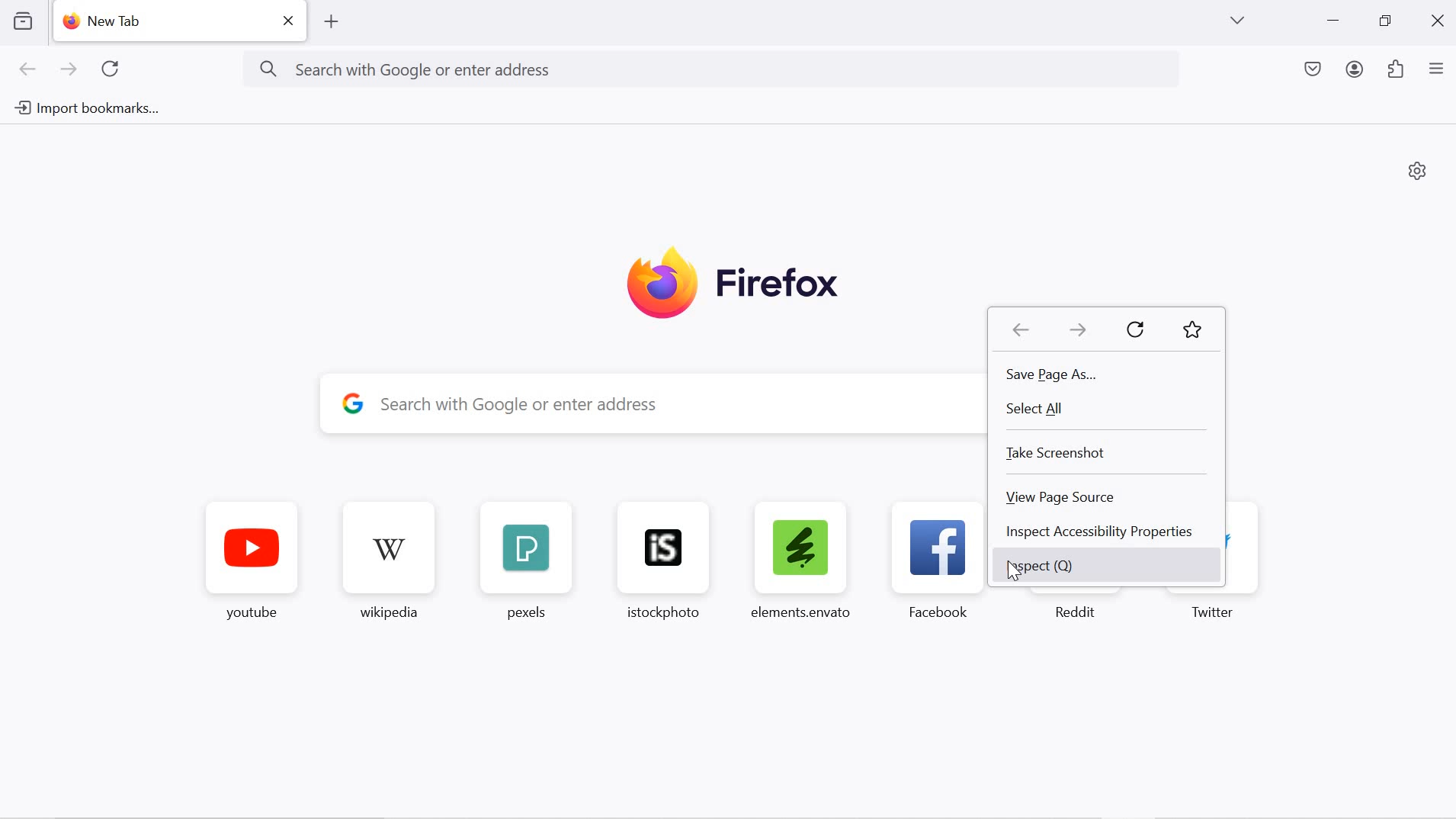  I want to click on previous, so click(1018, 331).